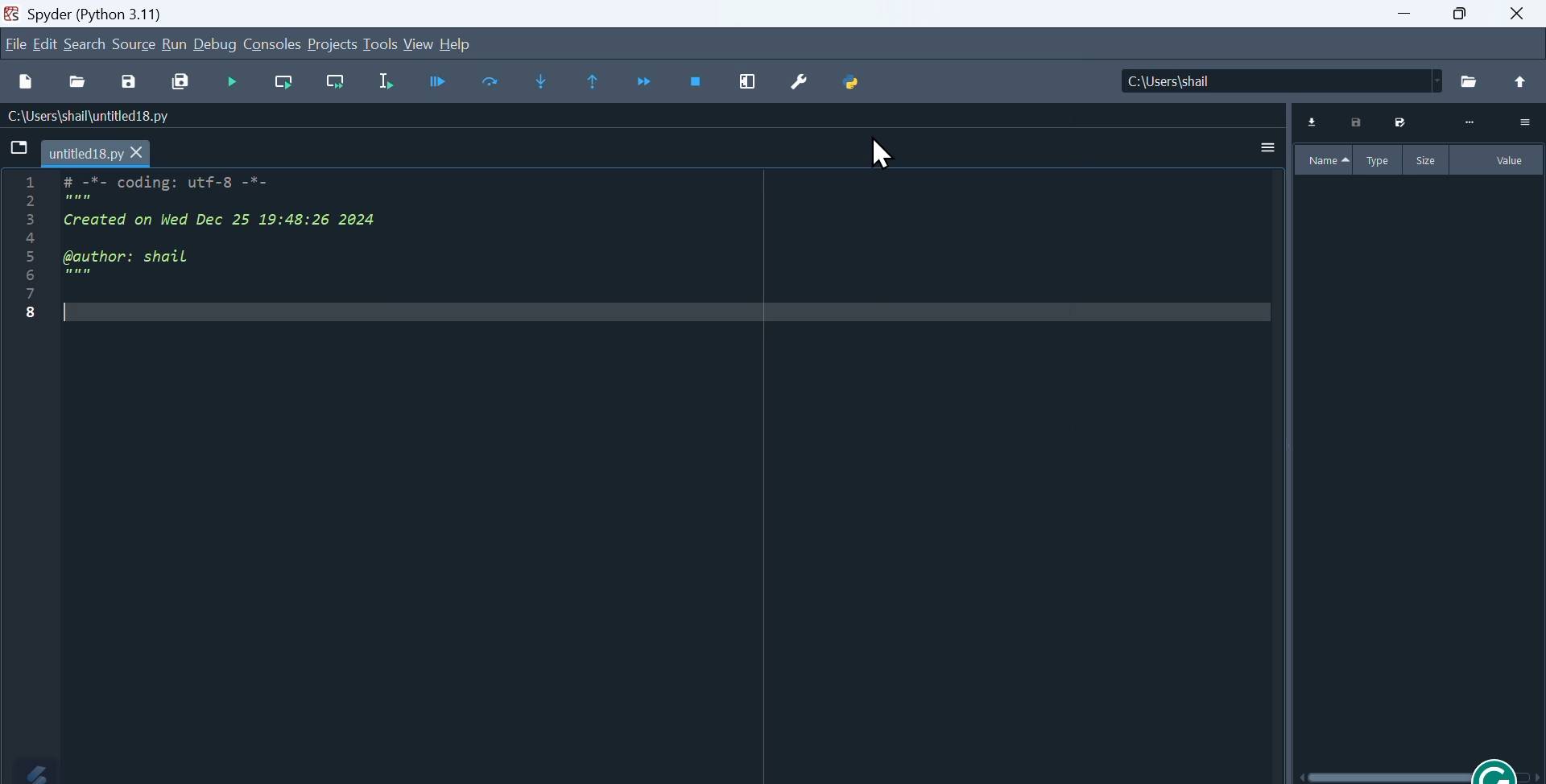 The width and height of the screenshot is (1546, 784). Describe the element at coordinates (1466, 82) in the screenshot. I see `folder` at that location.